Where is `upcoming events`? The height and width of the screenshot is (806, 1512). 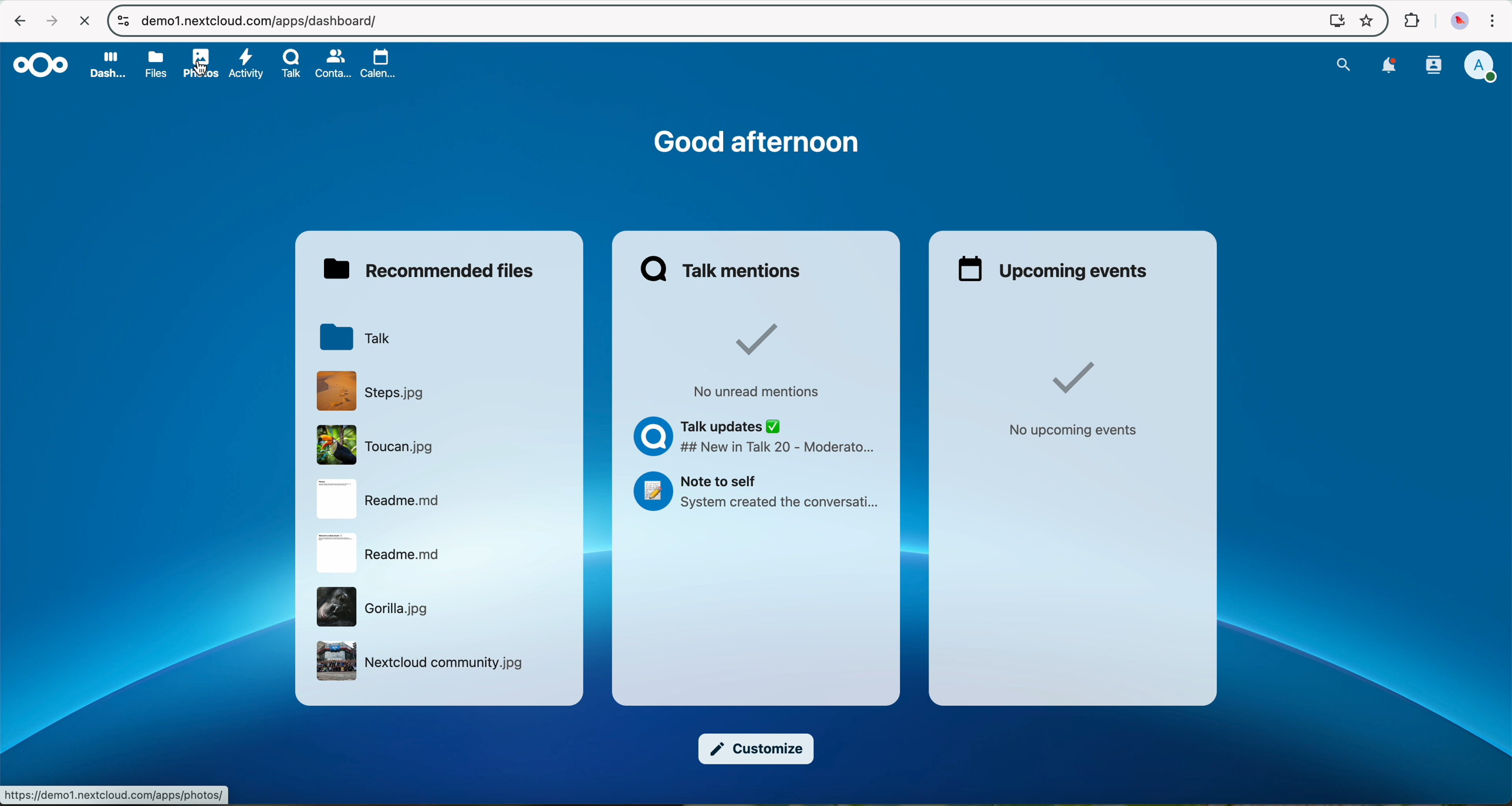
upcoming events is located at coordinates (1054, 269).